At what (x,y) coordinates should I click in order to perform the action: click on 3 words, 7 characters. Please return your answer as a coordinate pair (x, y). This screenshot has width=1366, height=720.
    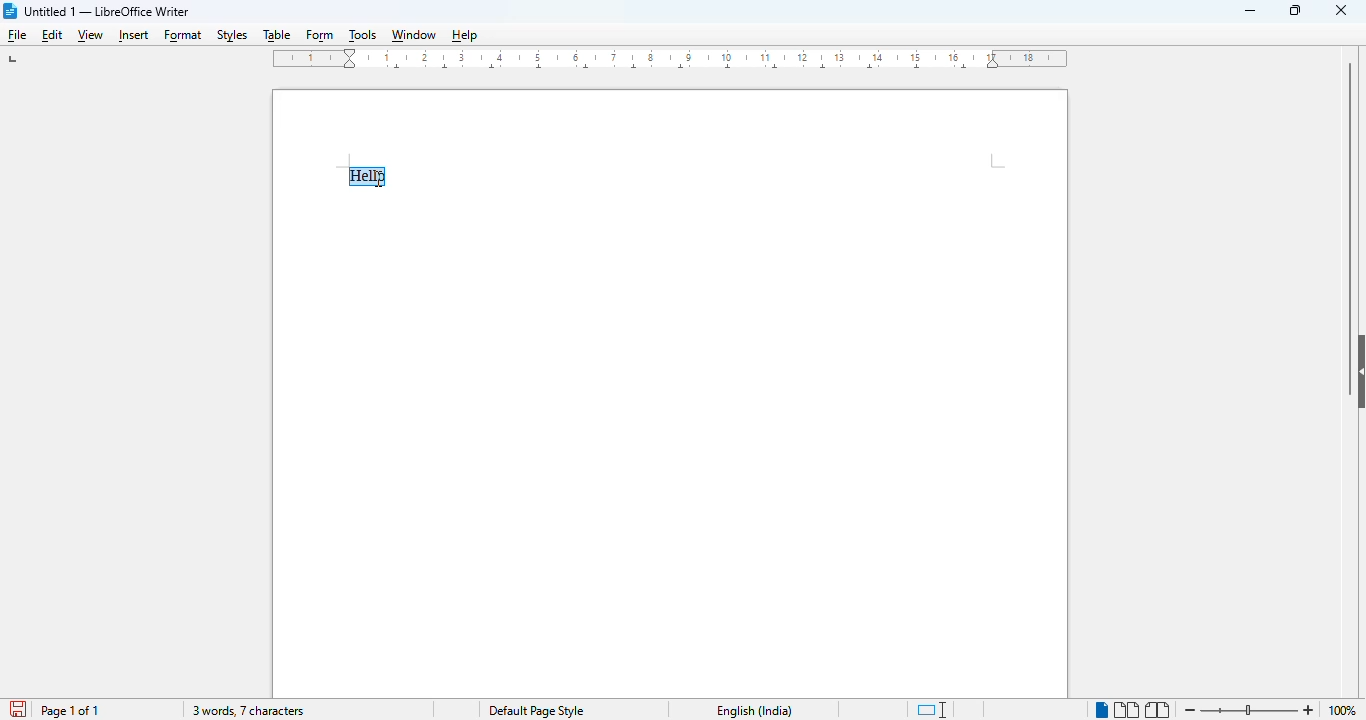
    Looking at the image, I should click on (247, 710).